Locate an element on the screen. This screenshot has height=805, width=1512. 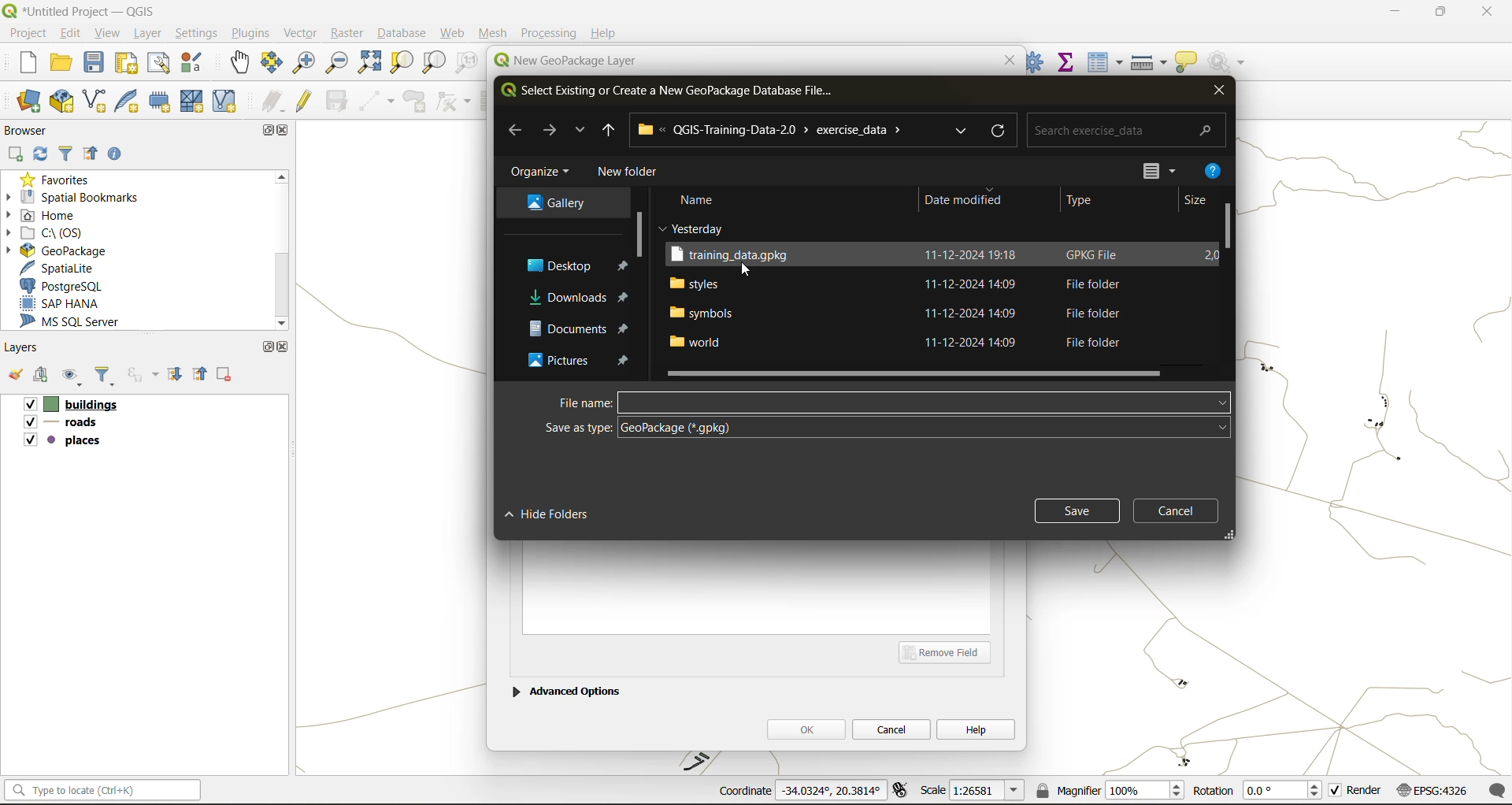
browser is located at coordinates (31, 130).